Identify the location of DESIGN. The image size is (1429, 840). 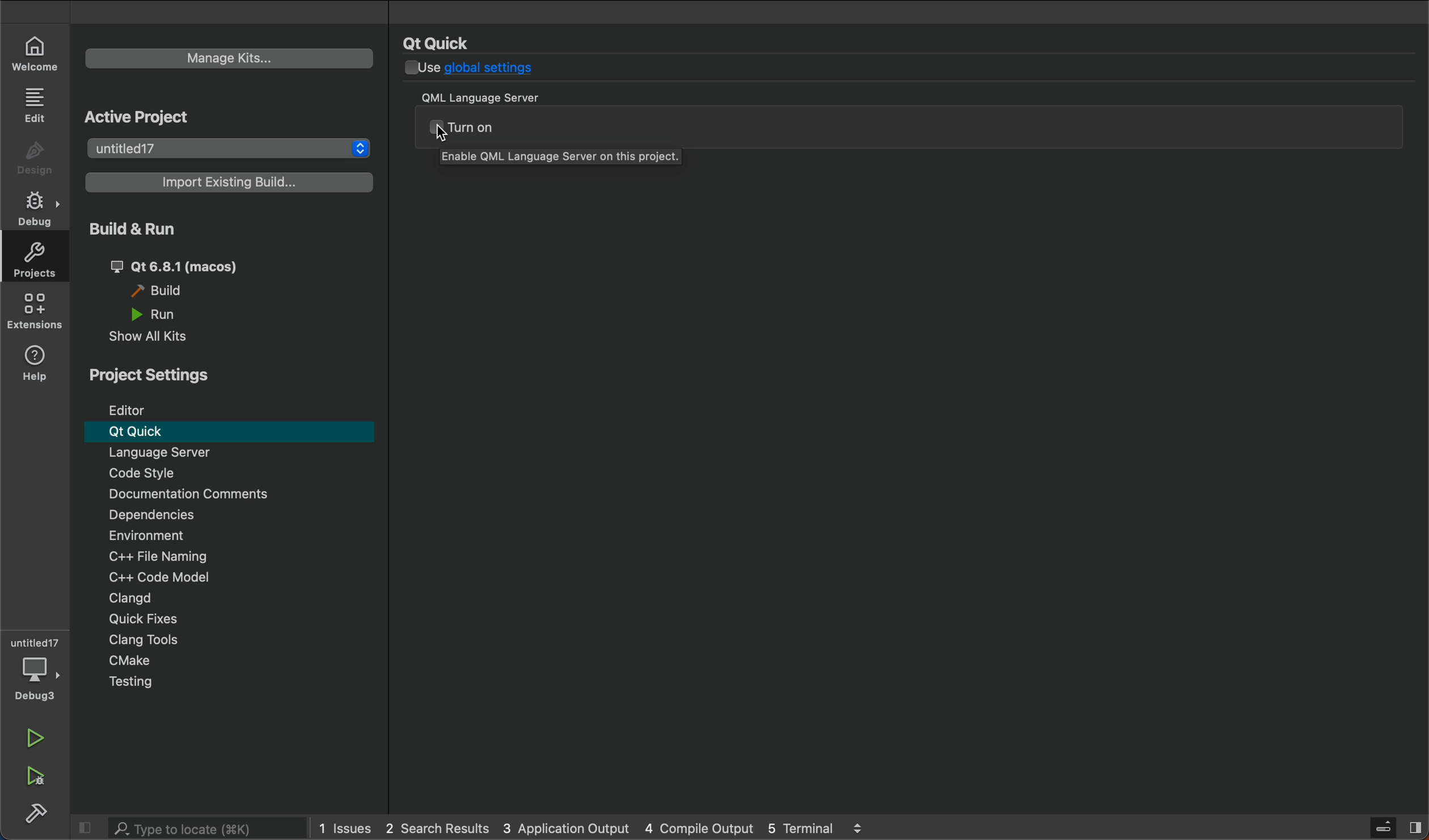
(33, 152).